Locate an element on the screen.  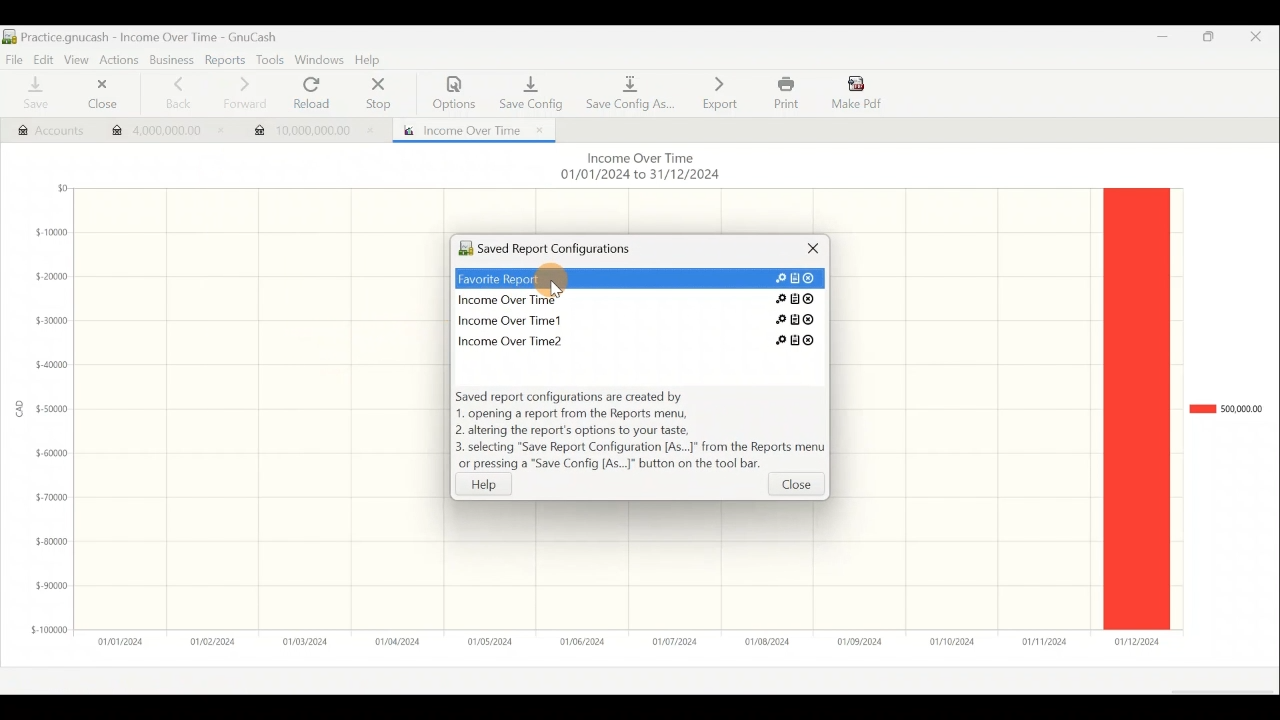
Reload is located at coordinates (316, 94).